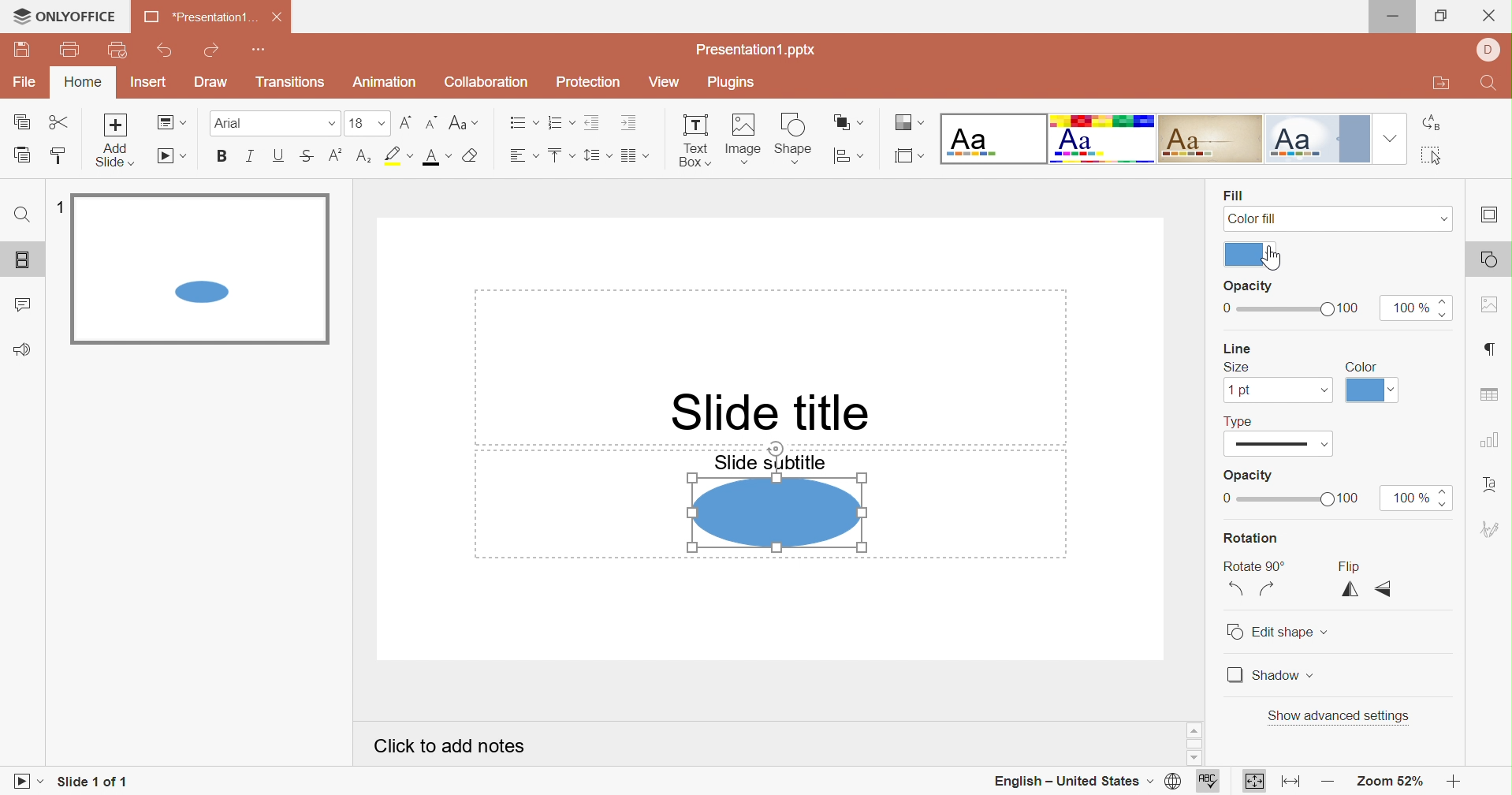 This screenshot has width=1512, height=795. What do you see at coordinates (24, 83) in the screenshot?
I see `File` at bounding box center [24, 83].